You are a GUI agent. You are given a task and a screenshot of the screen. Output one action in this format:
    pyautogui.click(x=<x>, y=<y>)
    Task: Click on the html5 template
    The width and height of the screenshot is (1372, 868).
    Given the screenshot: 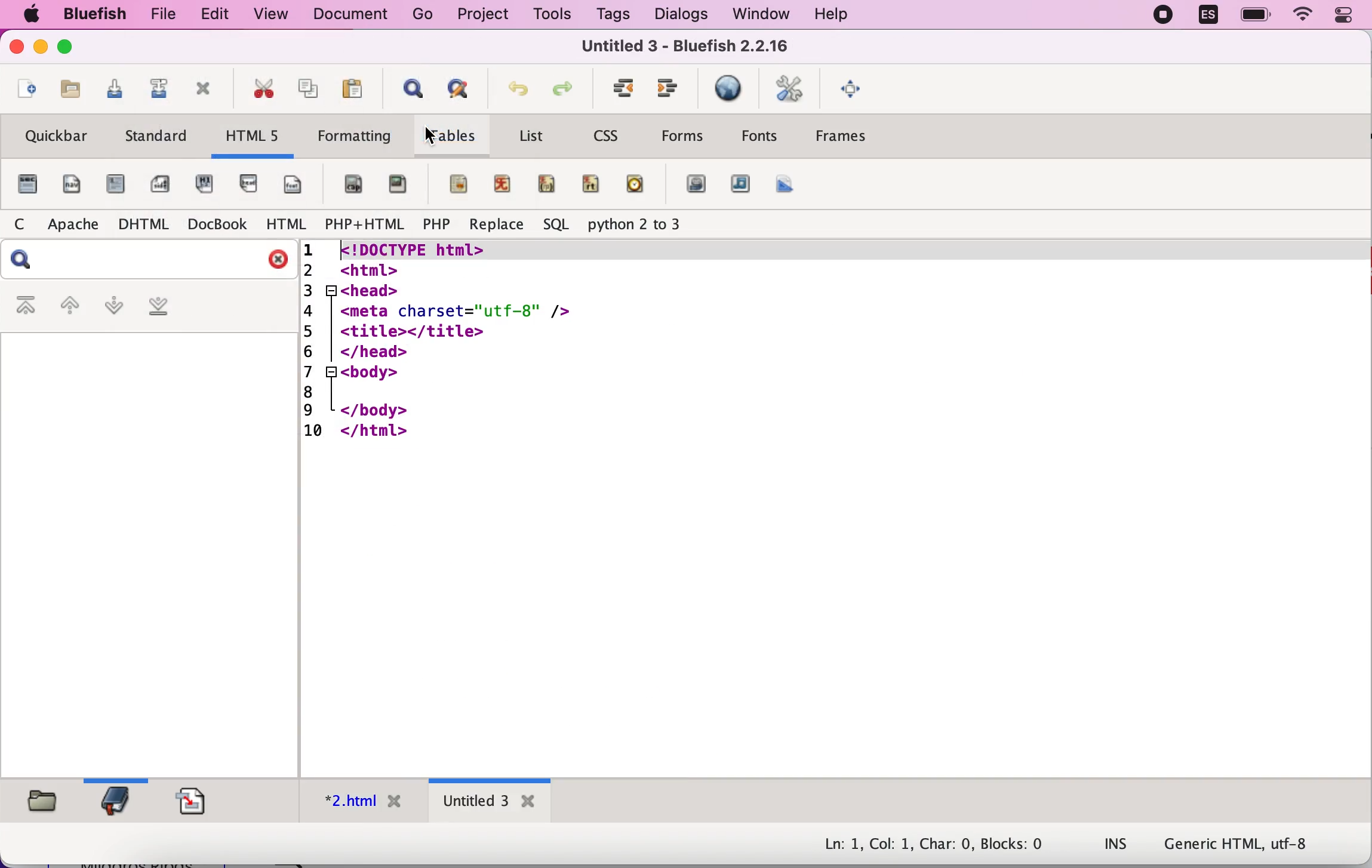 What is the action you would take?
    pyautogui.click(x=442, y=341)
    